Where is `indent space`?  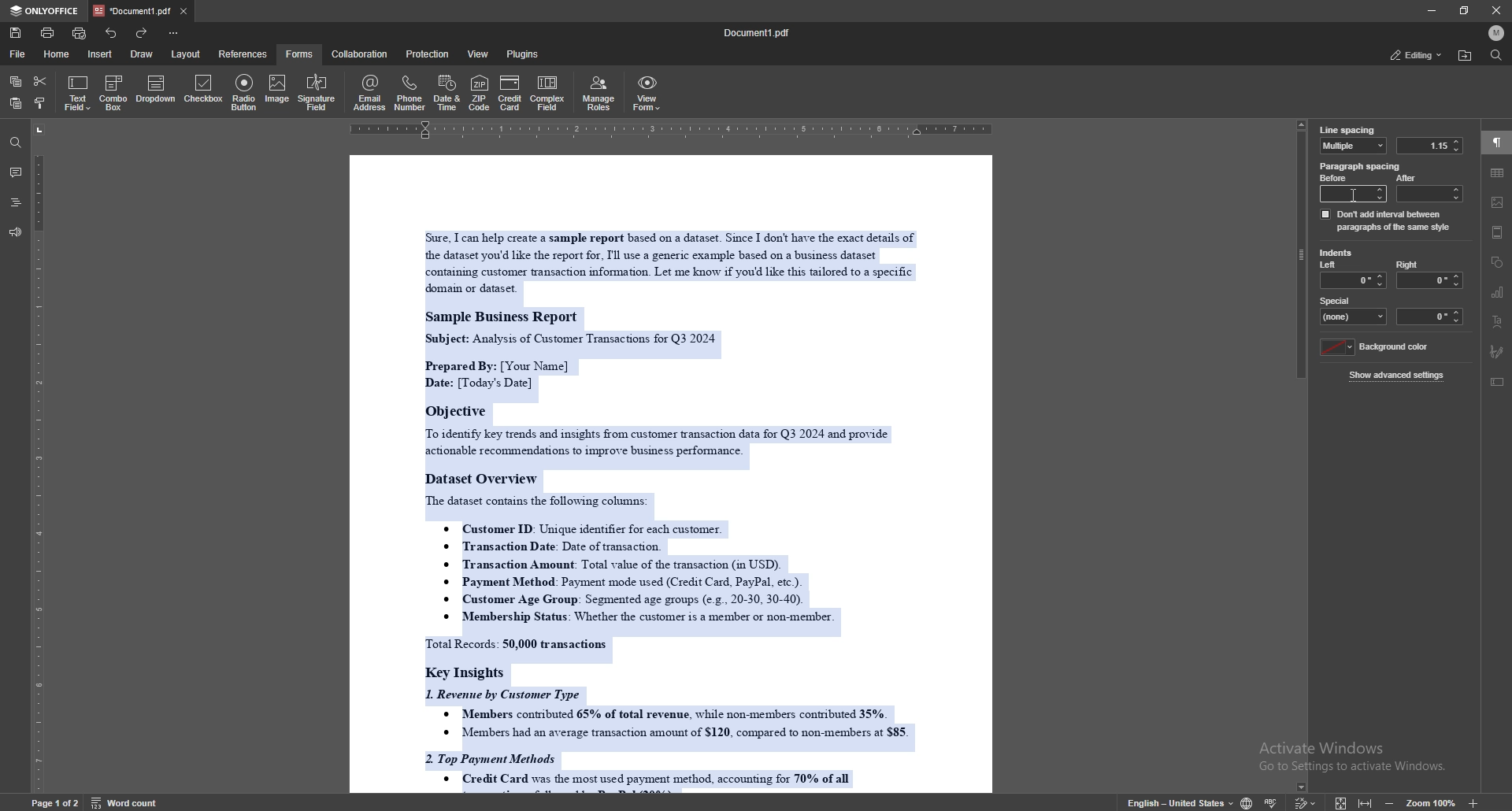
indent space is located at coordinates (1431, 317).